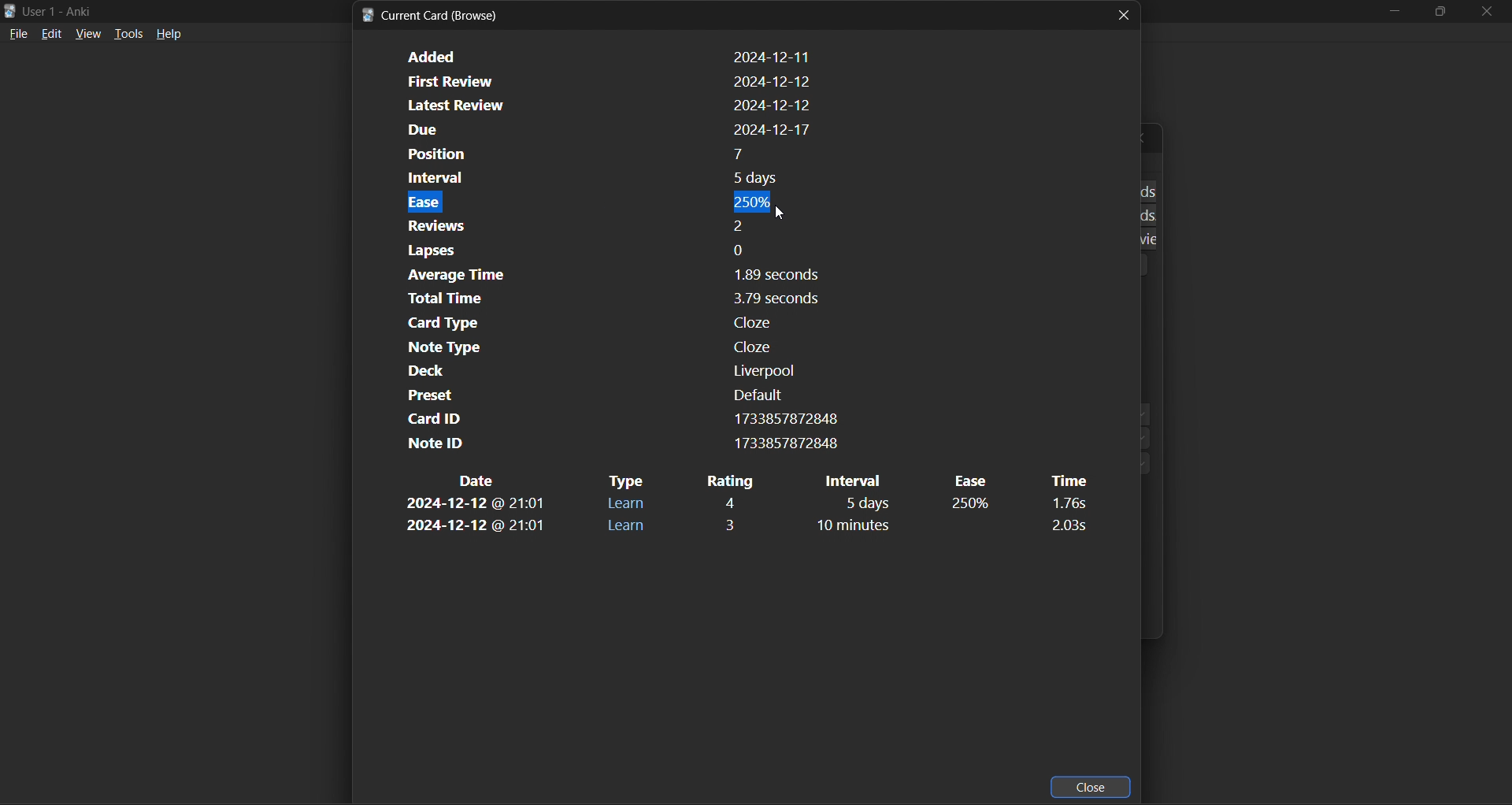 This screenshot has height=805, width=1512. Describe the element at coordinates (600, 299) in the screenshot. I see `card total time` at that location.